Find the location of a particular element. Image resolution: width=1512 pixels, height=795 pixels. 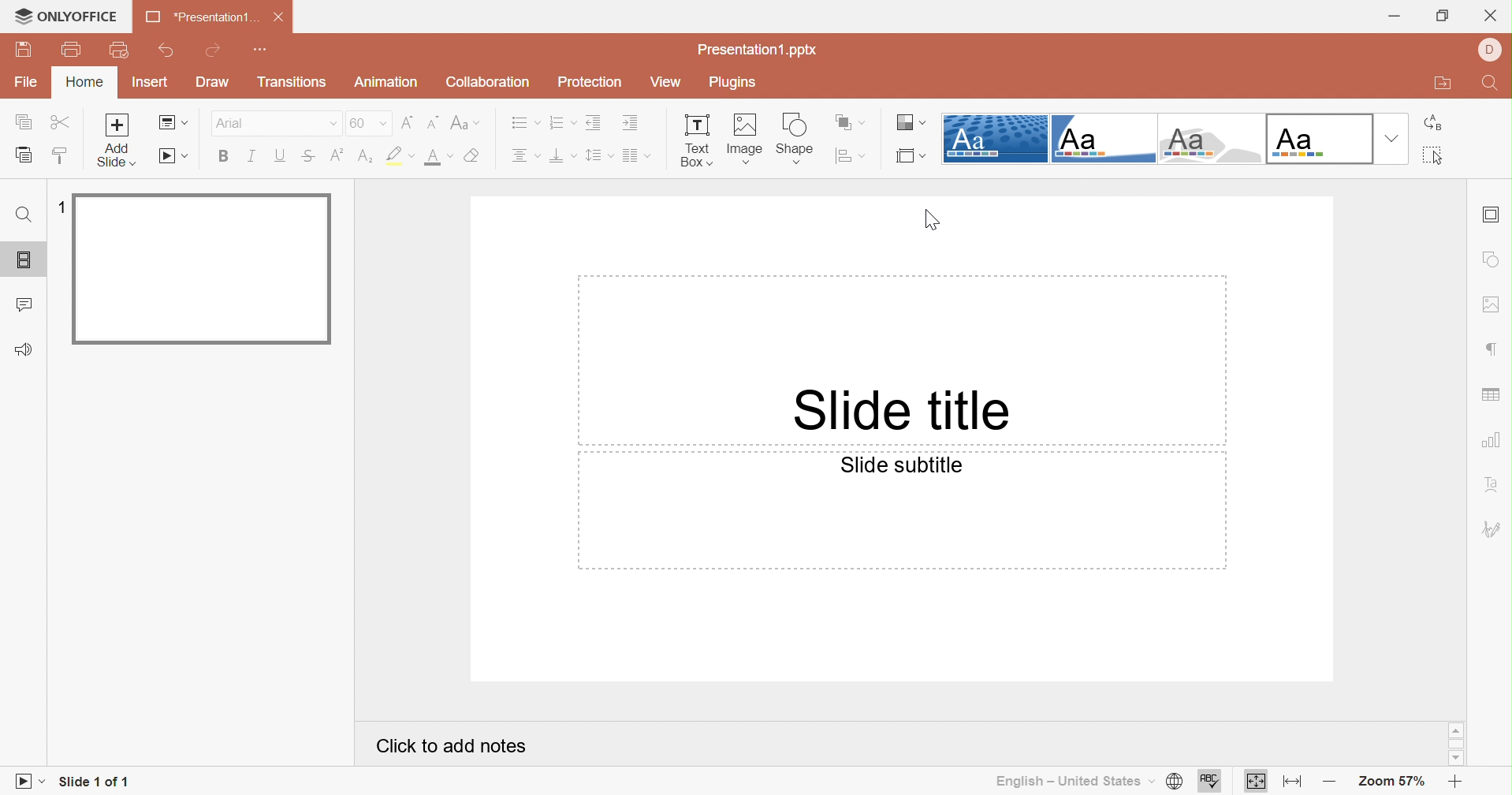

Horizontal align is located at coordinates (524, 155).